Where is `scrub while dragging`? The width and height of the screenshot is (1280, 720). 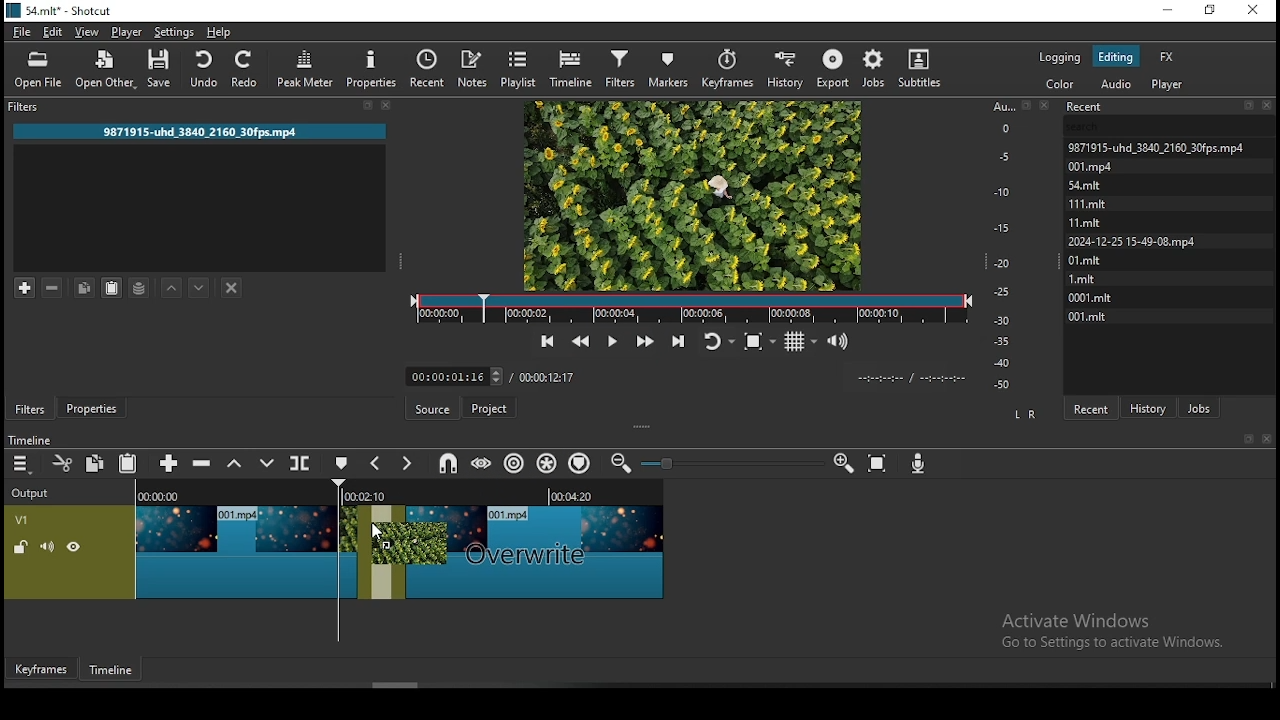
scrub while dragging is located at coordinates (482, 461).